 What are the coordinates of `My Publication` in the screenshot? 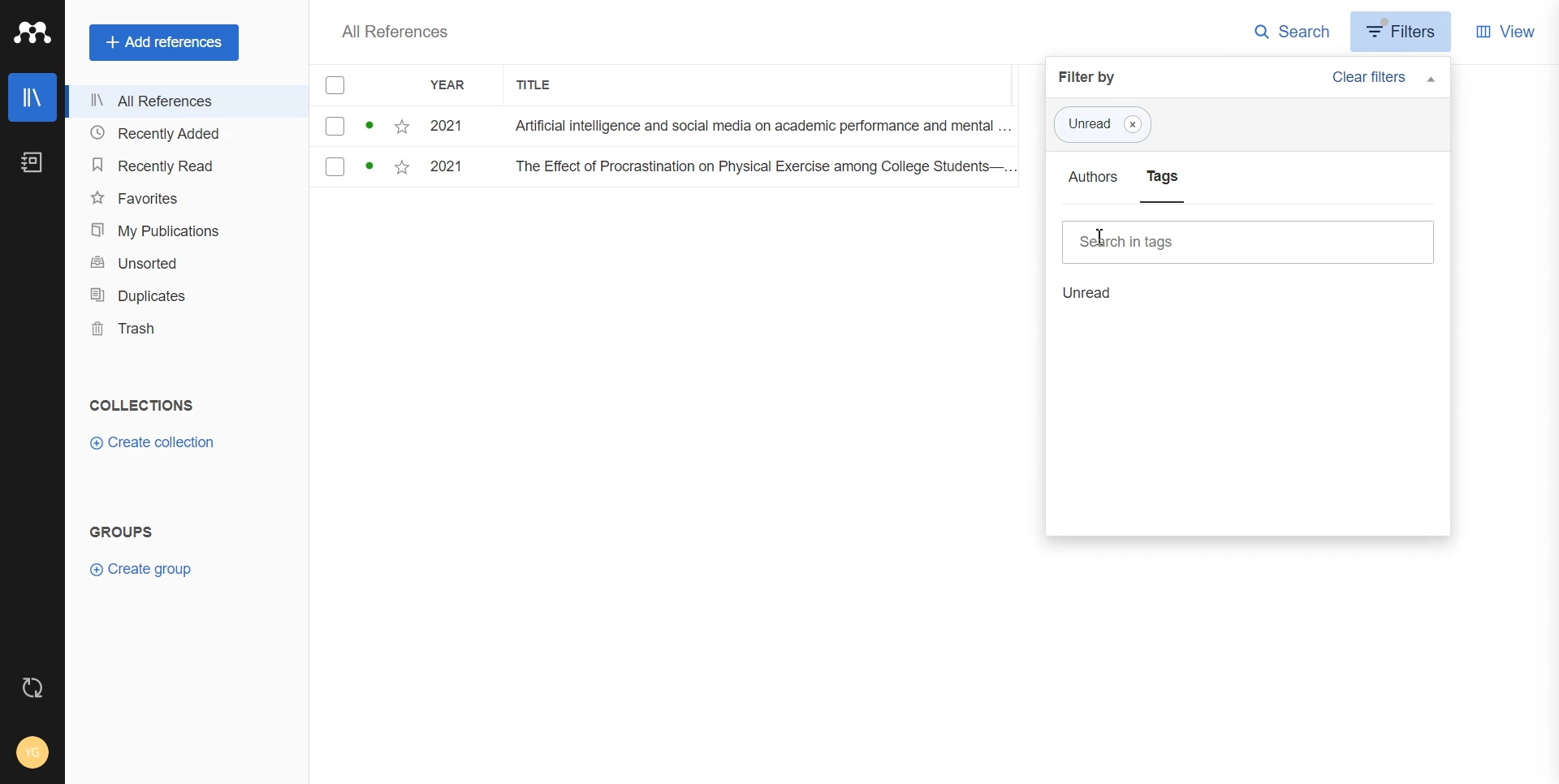 It's located at (185, 230).